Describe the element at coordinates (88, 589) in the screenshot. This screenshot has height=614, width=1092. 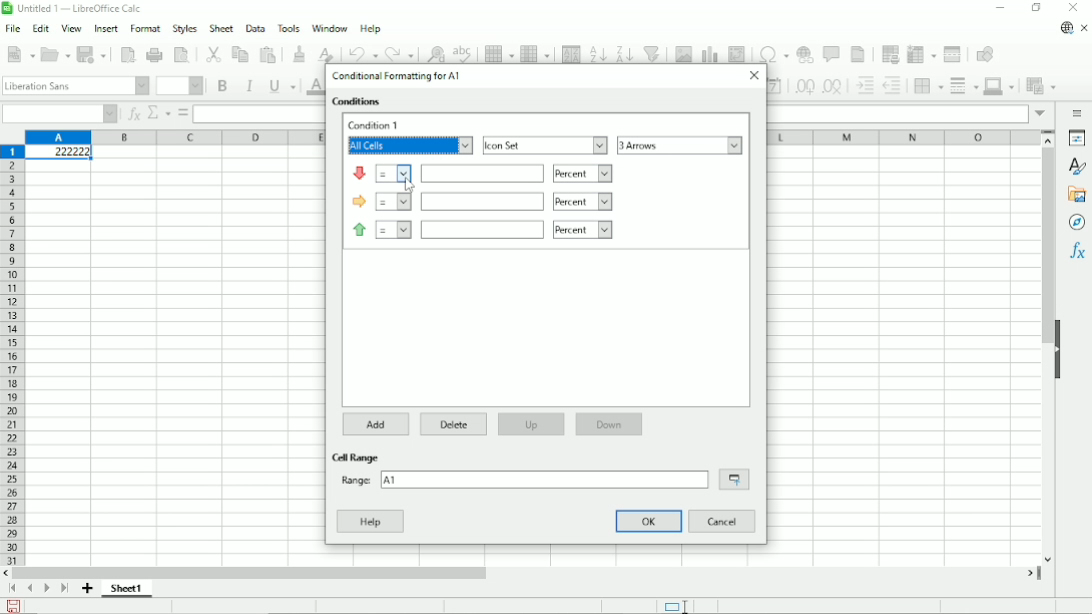
I see `Add sheet` at that location.